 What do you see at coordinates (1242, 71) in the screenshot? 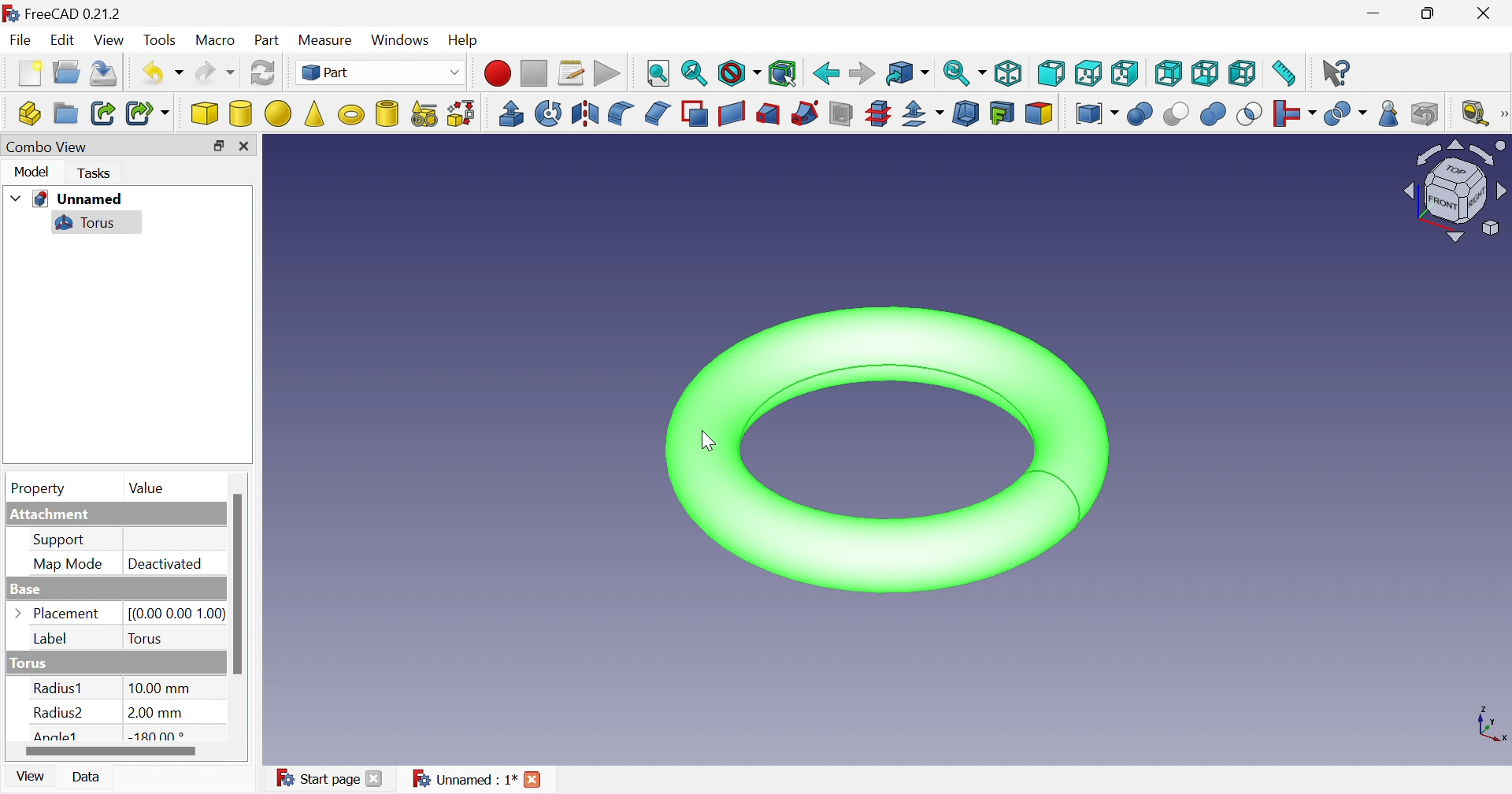
I see `Left` at bounding box center [1242, 71].